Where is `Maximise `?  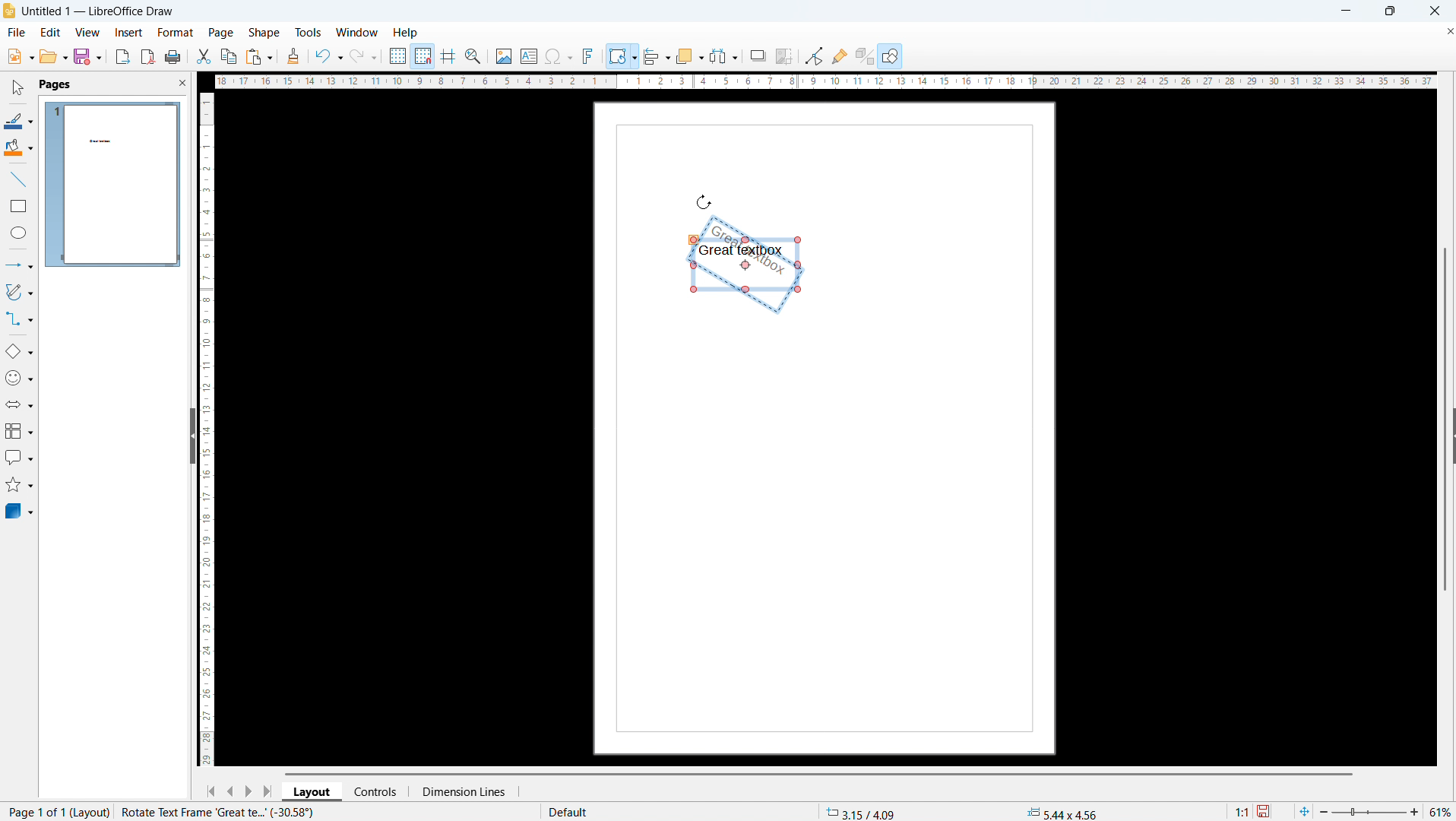 Maximise  is located at coordinates (1388, 11).